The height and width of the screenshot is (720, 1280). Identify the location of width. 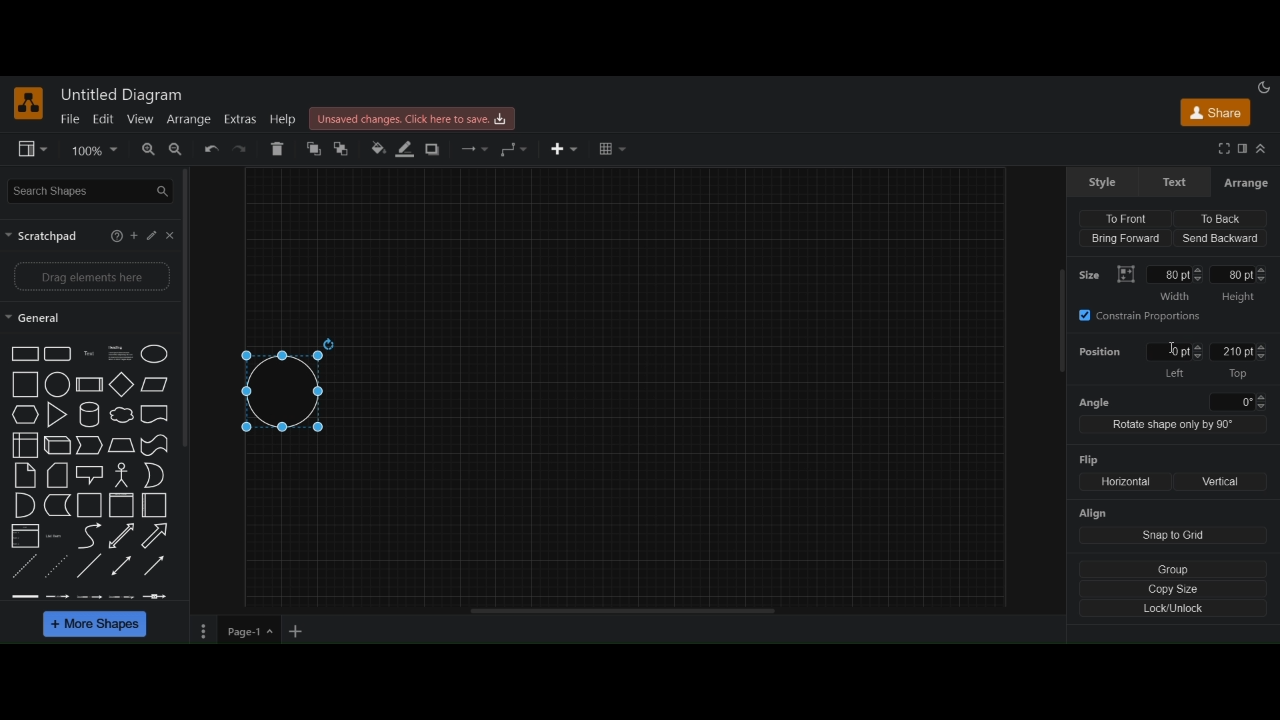
(1175, 283).